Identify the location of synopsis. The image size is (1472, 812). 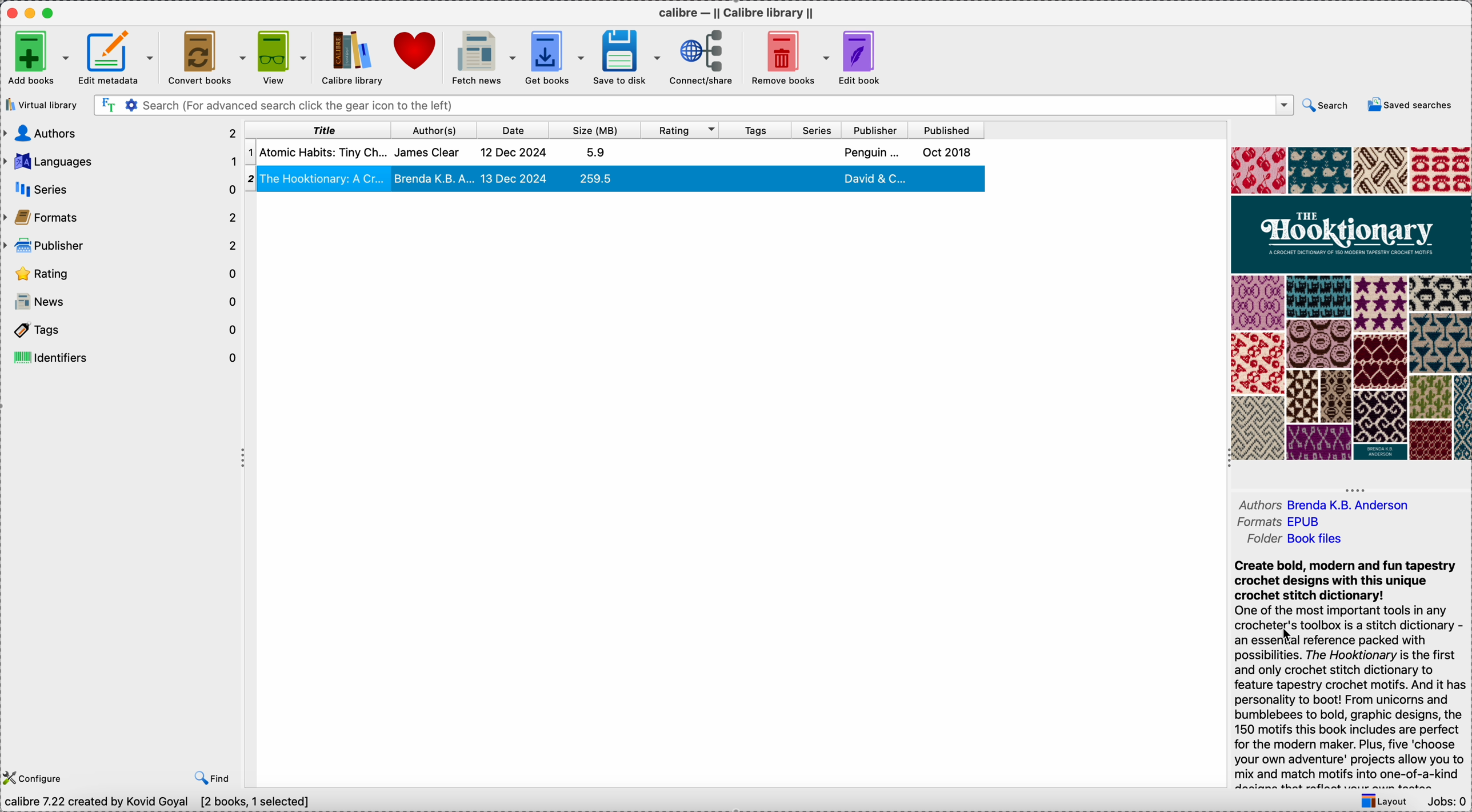
(1349, 669).